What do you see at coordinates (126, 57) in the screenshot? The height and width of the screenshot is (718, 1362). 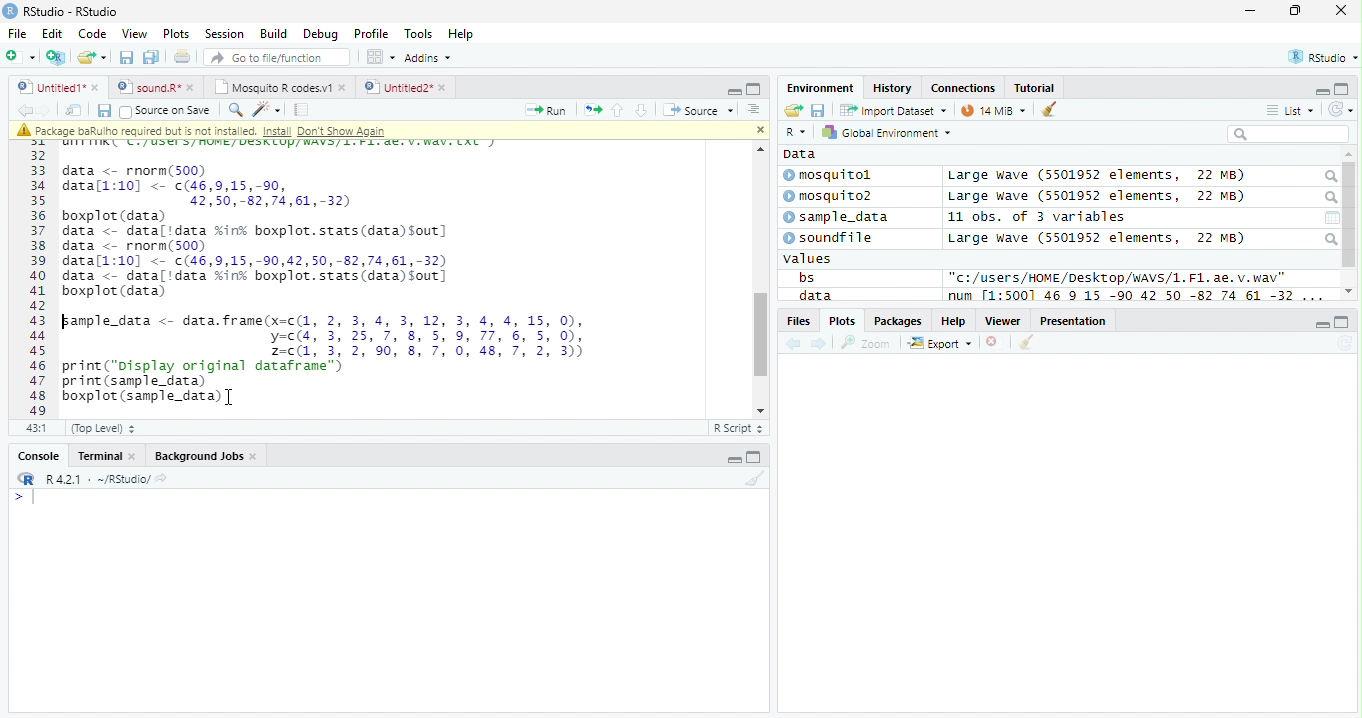 I see `Save the current document` at bounding box center [126, 57].